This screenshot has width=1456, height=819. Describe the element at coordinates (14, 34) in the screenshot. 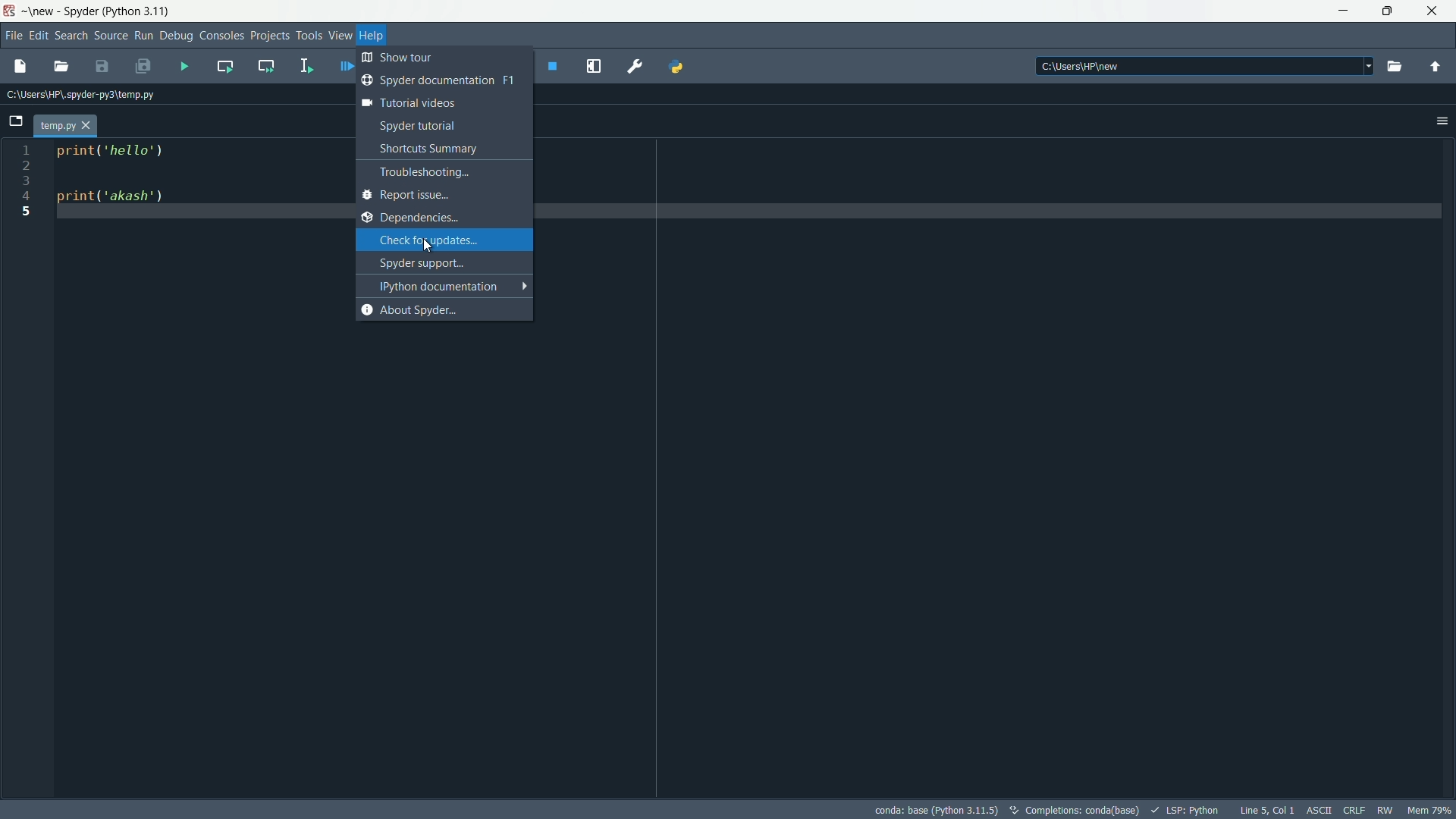

I see `file menu` at that location.